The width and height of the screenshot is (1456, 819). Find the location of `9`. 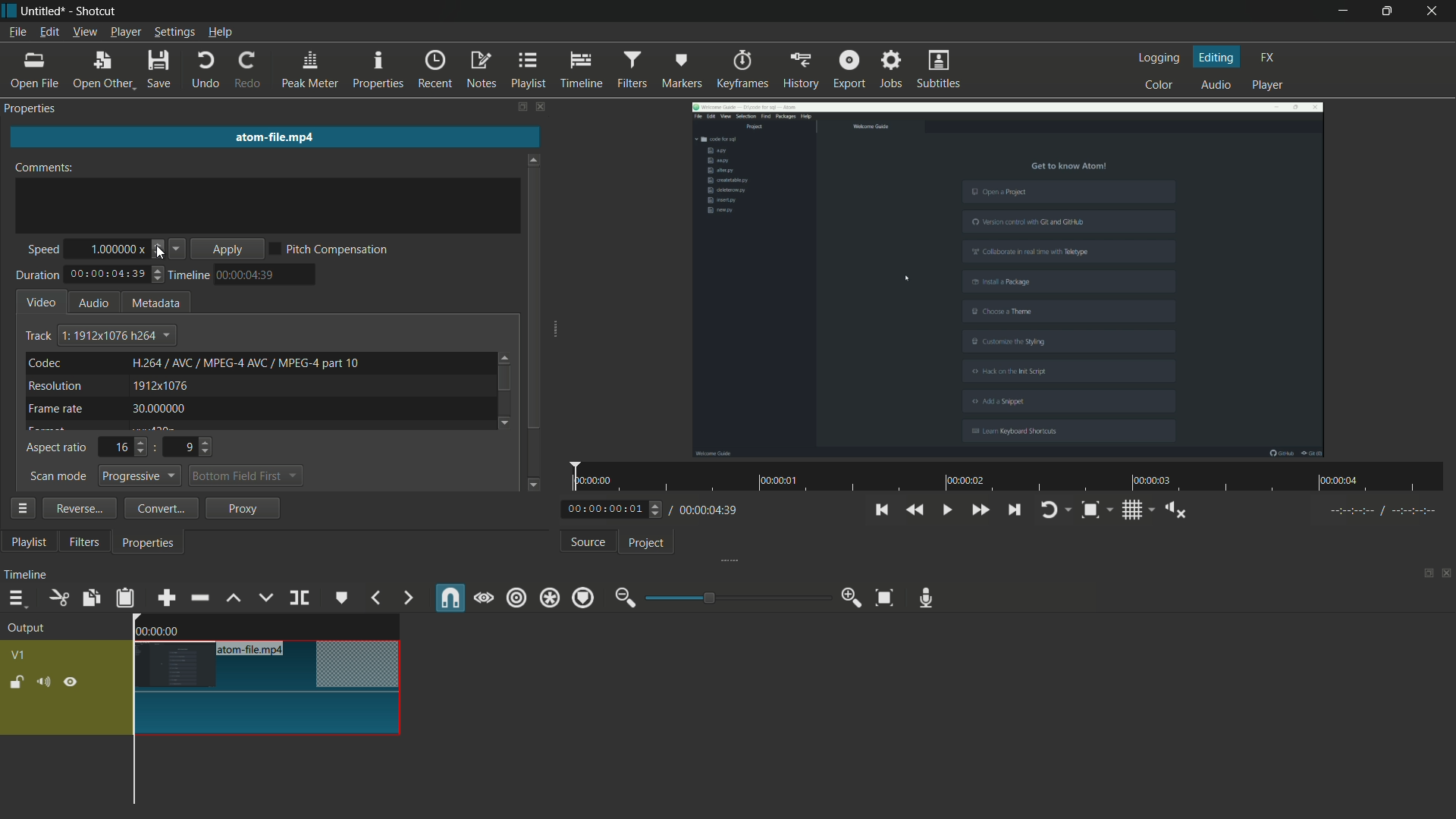

9 is located at coordinates (194, 447).